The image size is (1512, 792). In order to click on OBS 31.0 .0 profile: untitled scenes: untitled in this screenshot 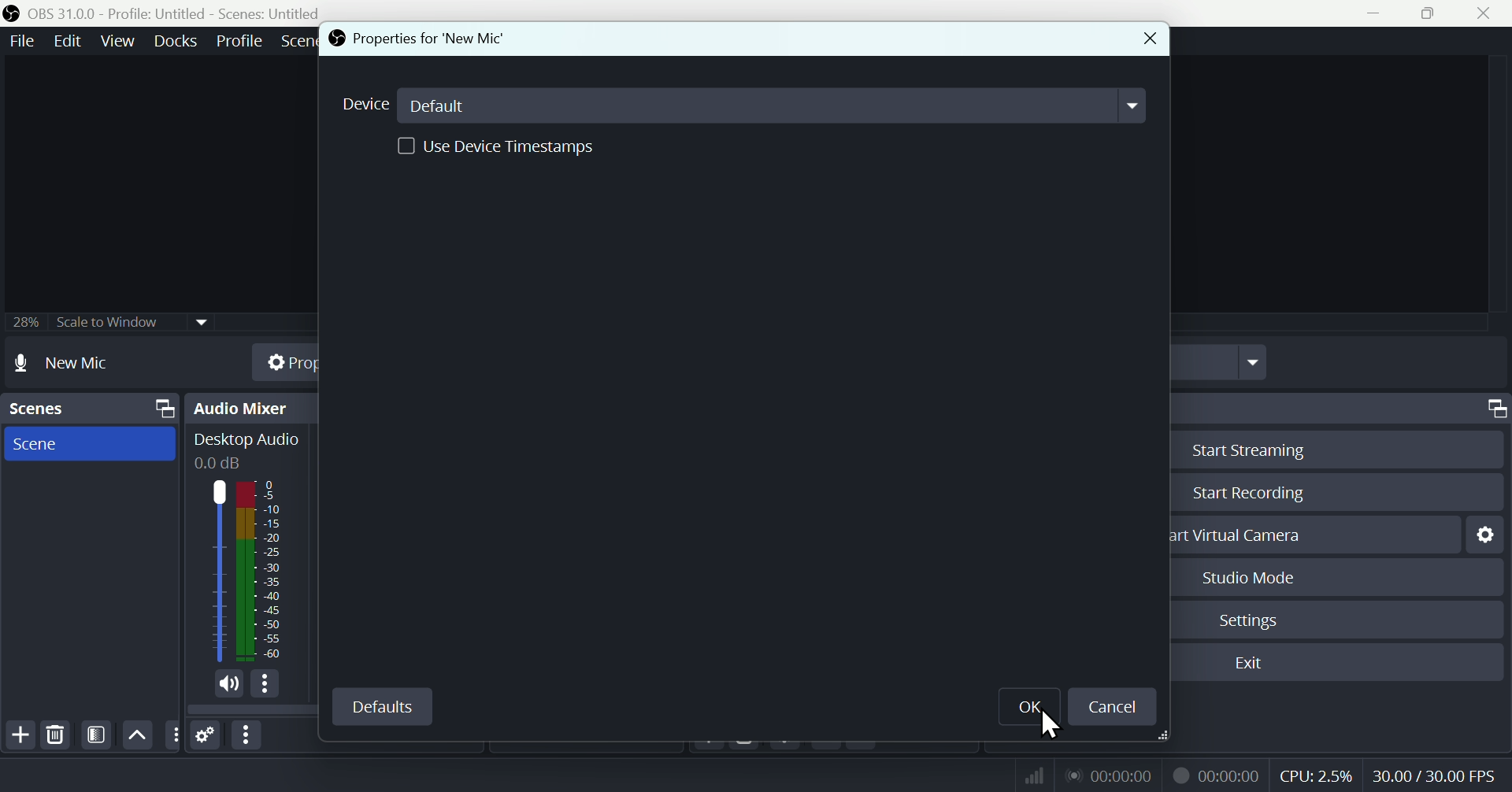, I will do `click(184, 13)`.